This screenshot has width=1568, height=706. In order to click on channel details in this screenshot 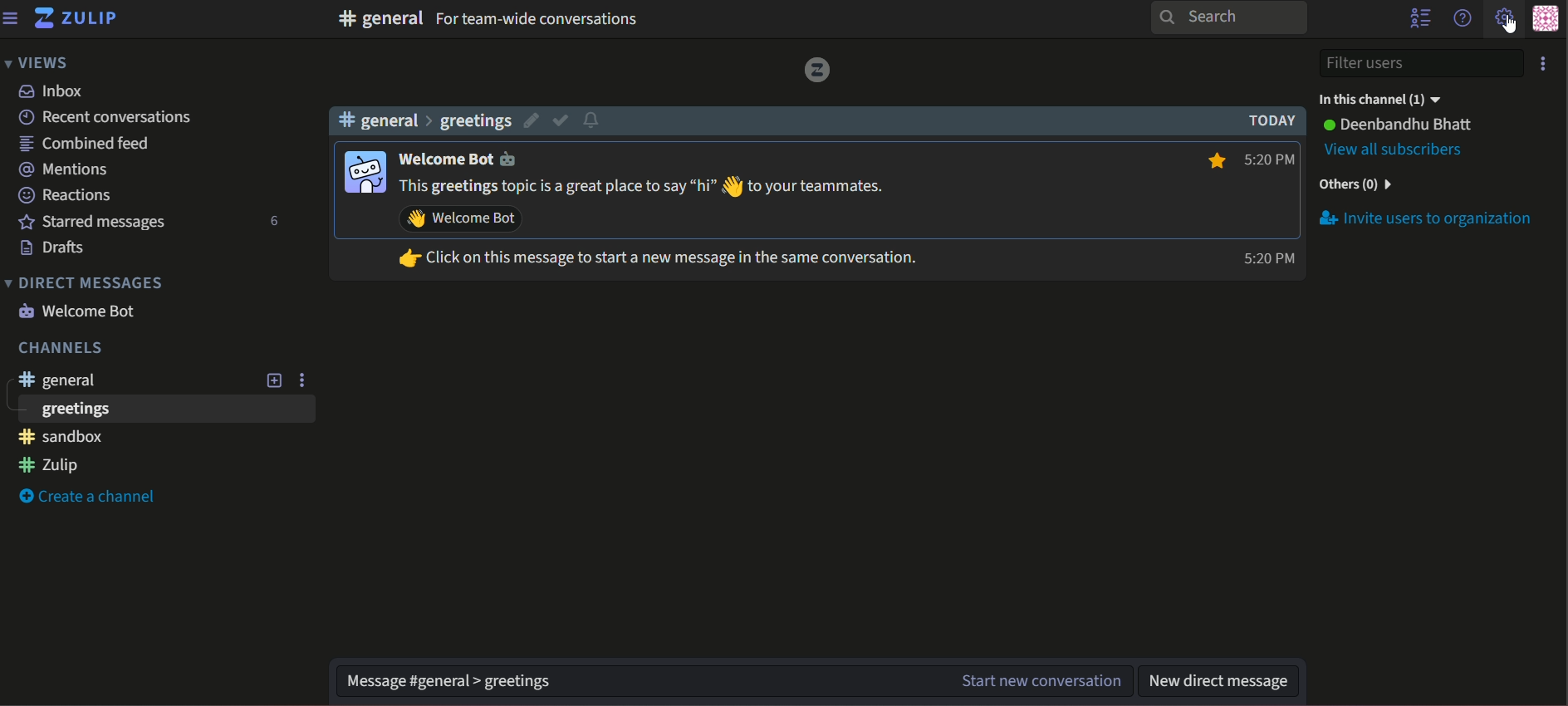, I will do `click(1384, 98)`.